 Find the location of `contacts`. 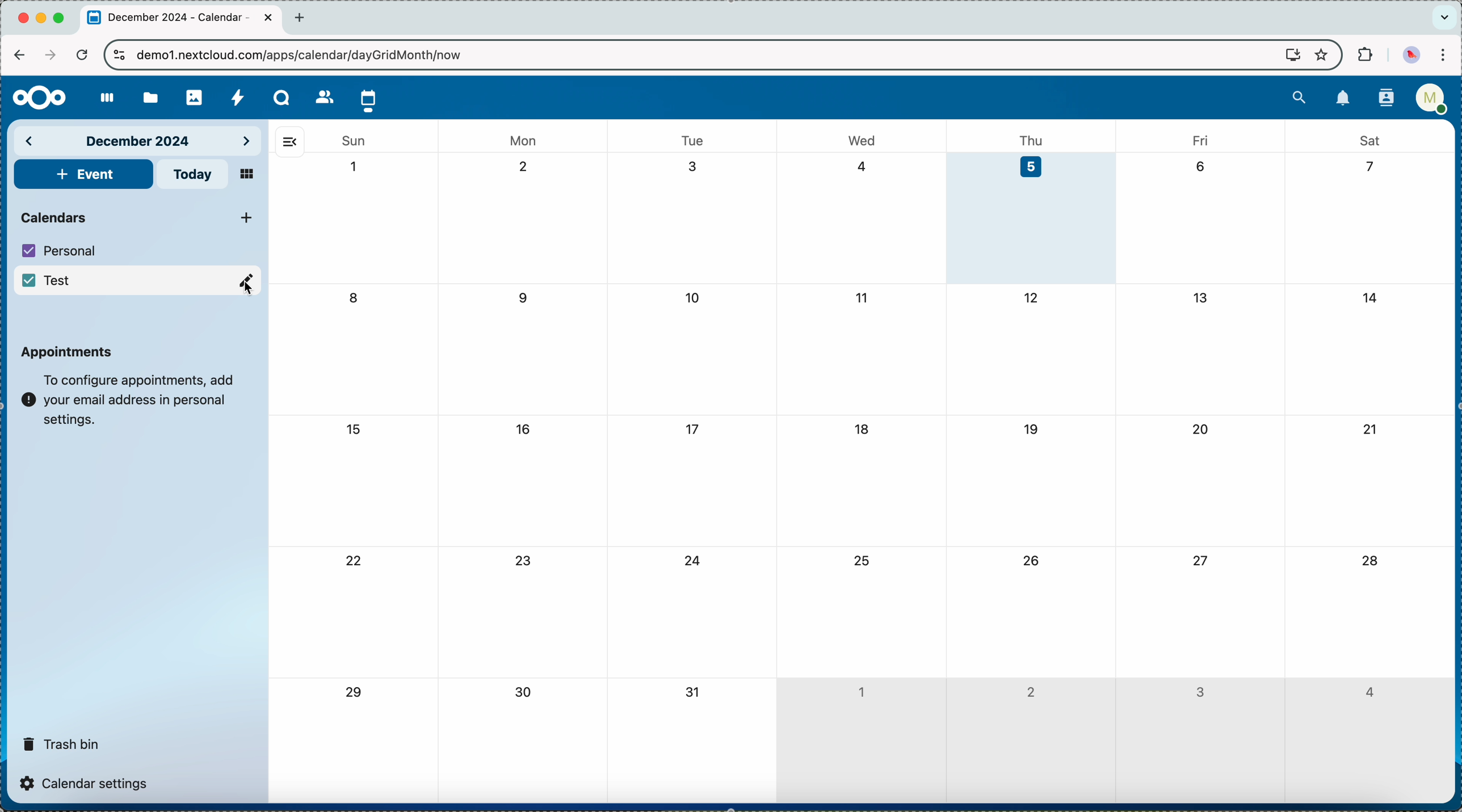

contacts is located at coordinates (1383, 99).